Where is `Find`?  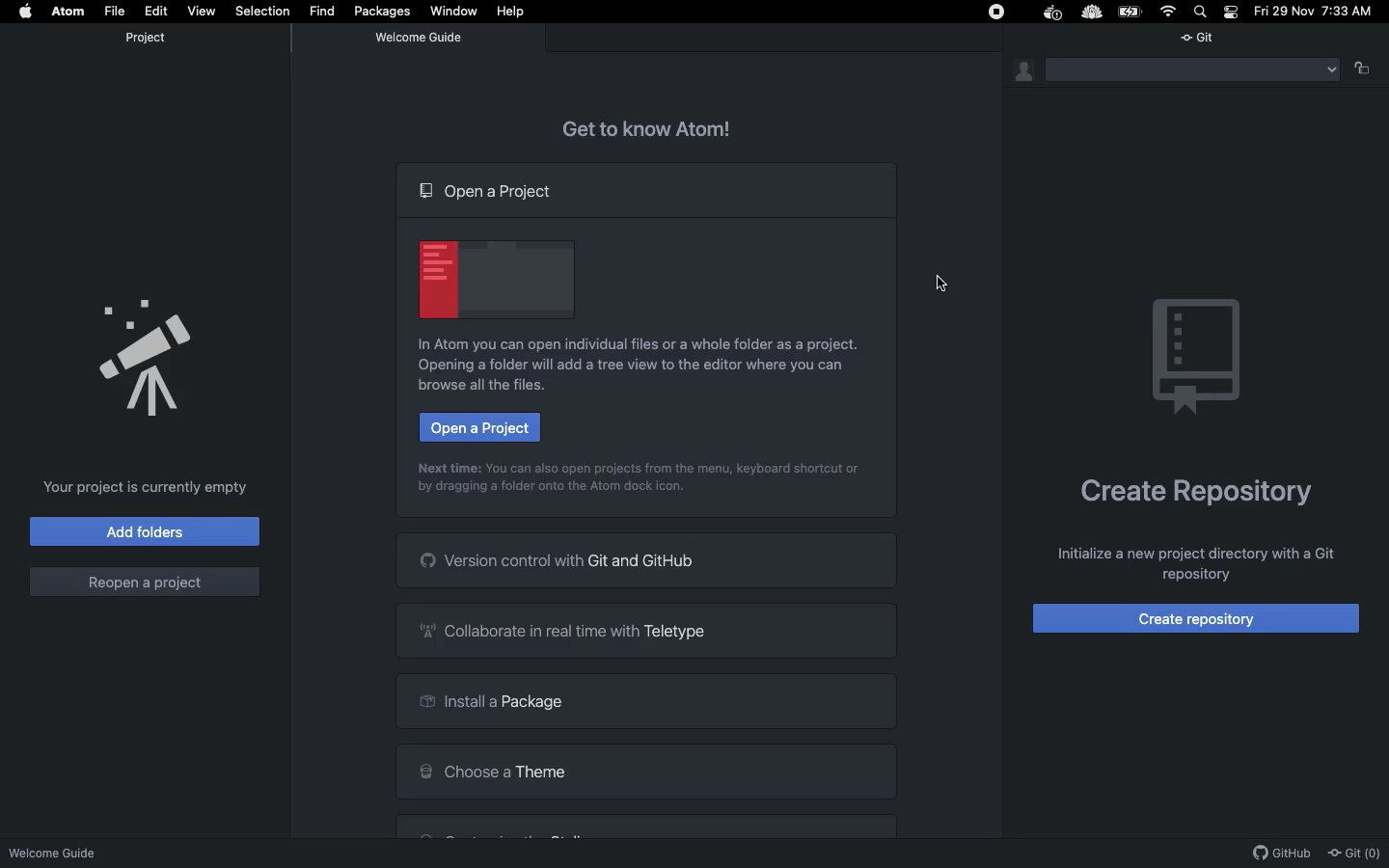 Find is located at coordinates (324, 10).